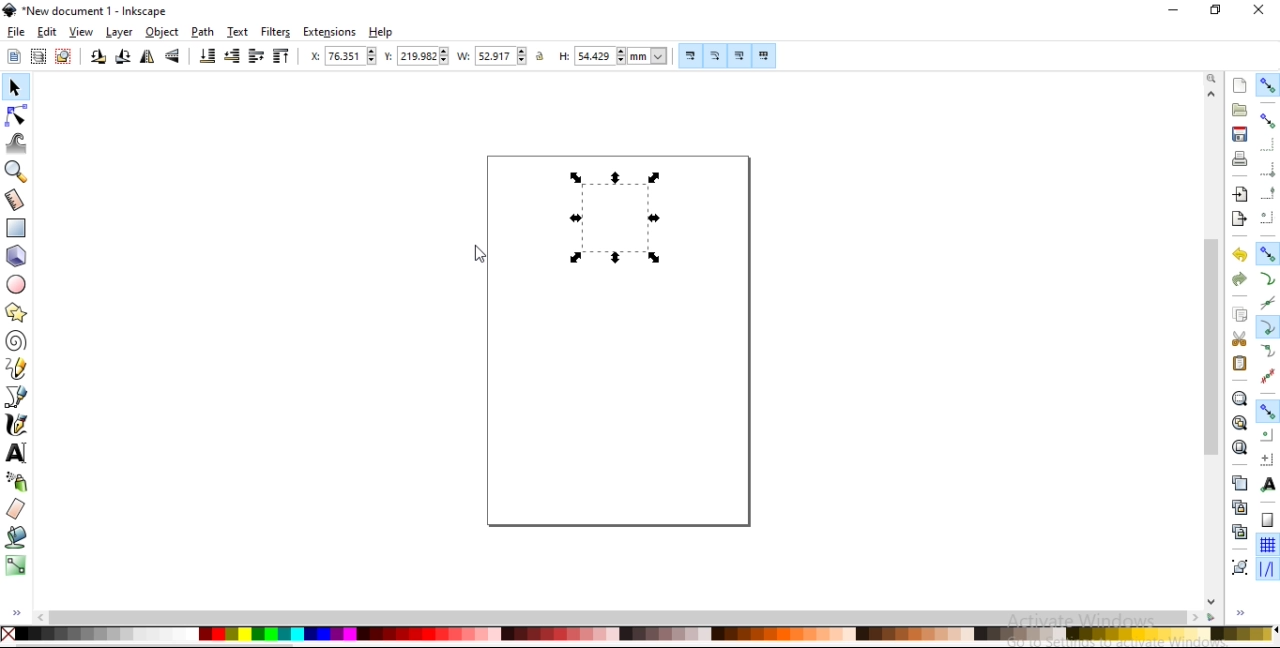 This screenshot has height=648, width=1280. Describe the element at coordinates (738, 56) in the screenshot. I see `move gradients along with objects` at that location.